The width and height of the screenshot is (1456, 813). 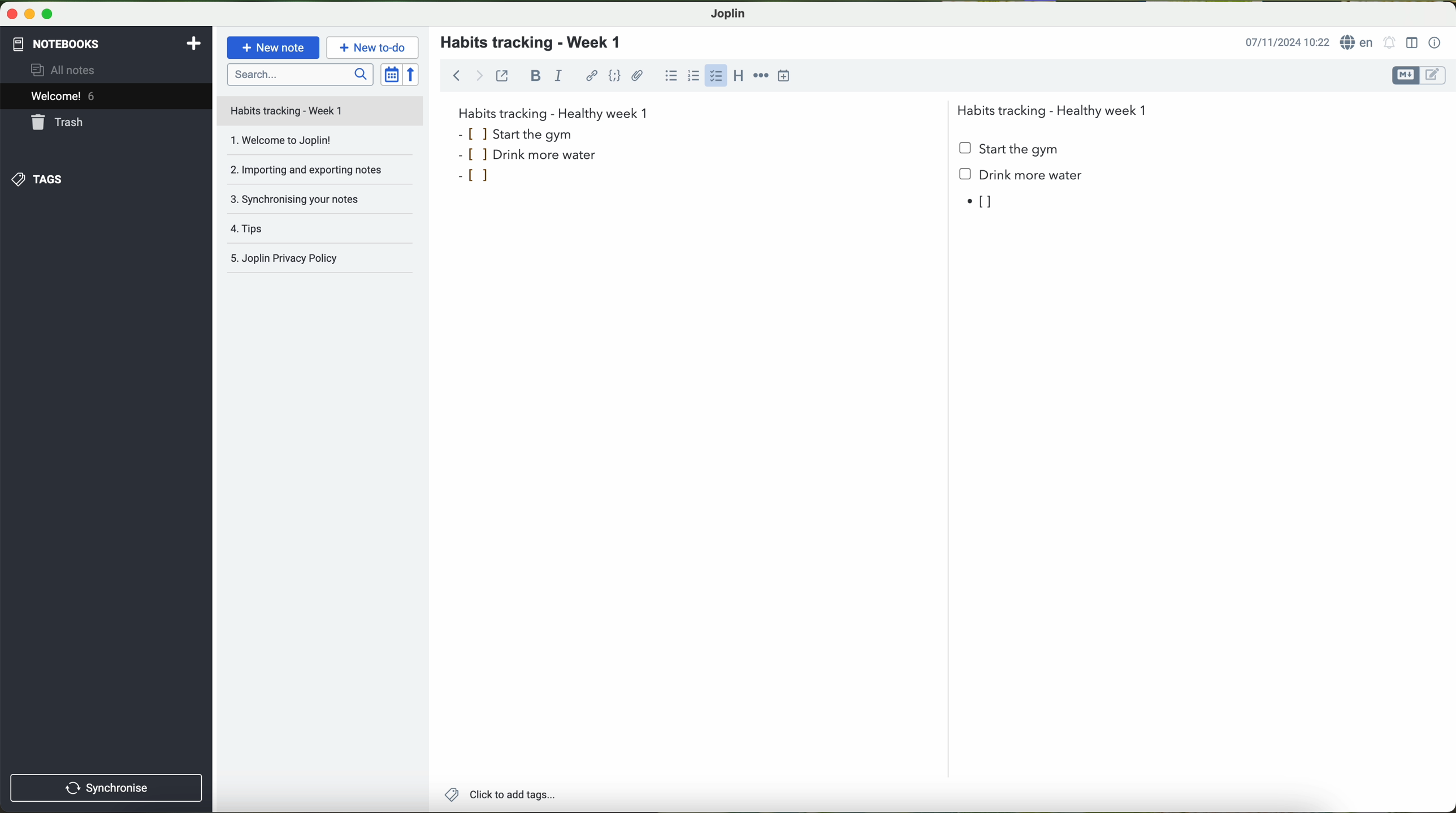 I want to click on toggle external editing, so click(x=502, y=75).